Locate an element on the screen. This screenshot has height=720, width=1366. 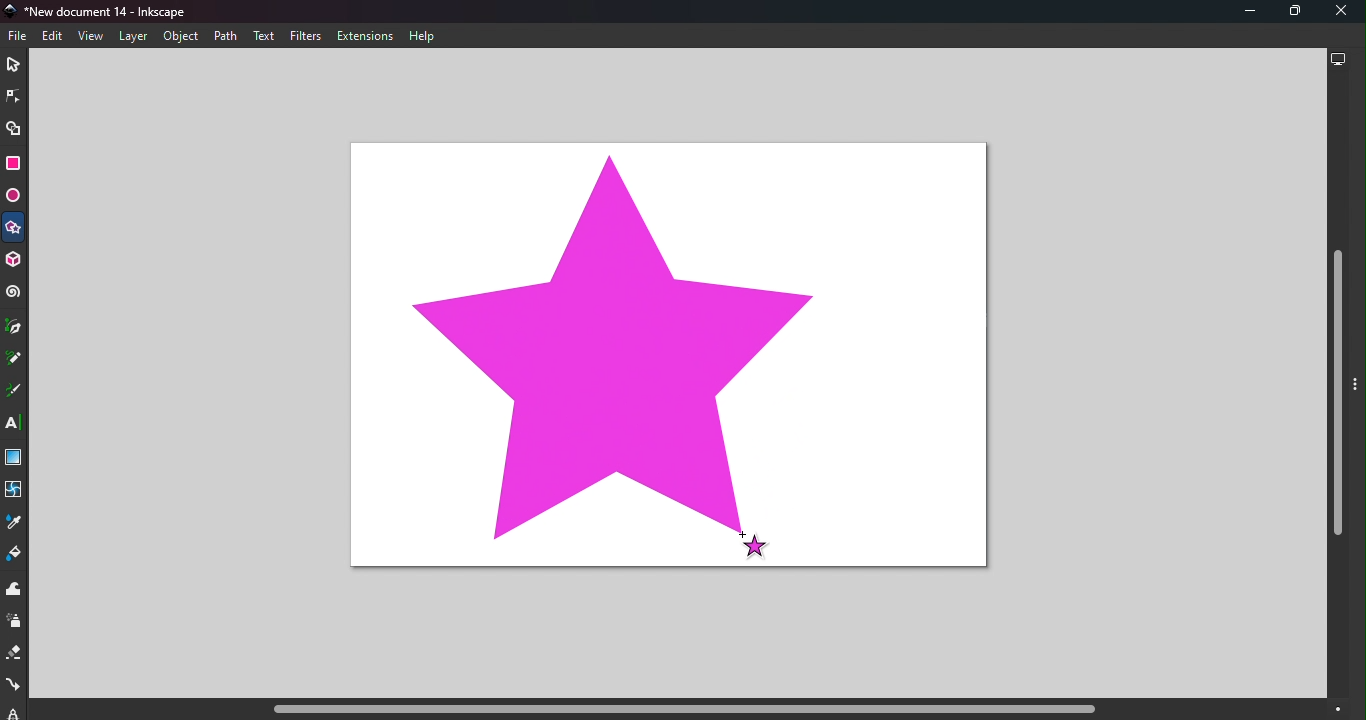
Node tool is located at coordinates (12, 96).